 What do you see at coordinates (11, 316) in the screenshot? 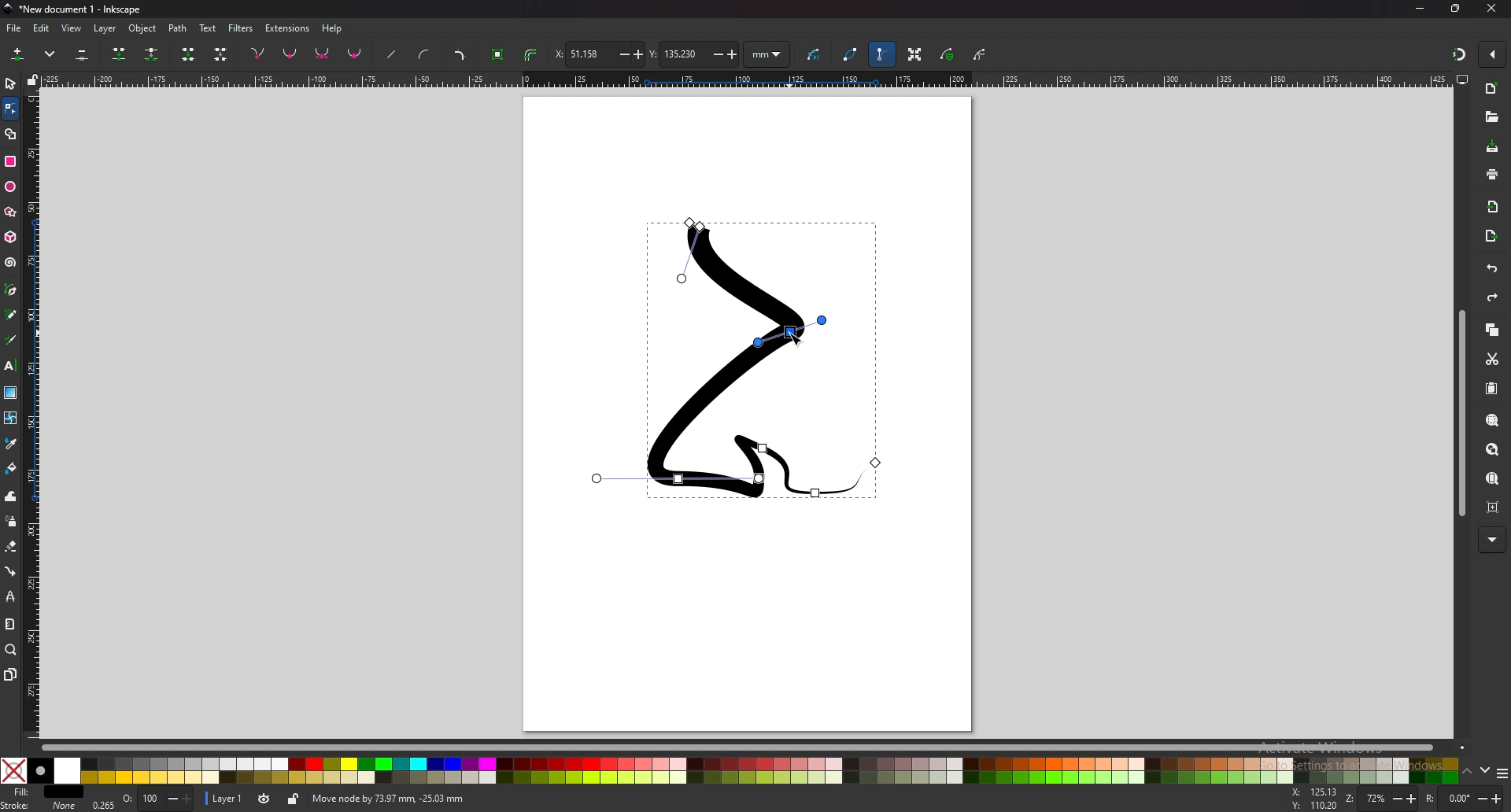
I see `pencil` at bounding box center [11, 316].